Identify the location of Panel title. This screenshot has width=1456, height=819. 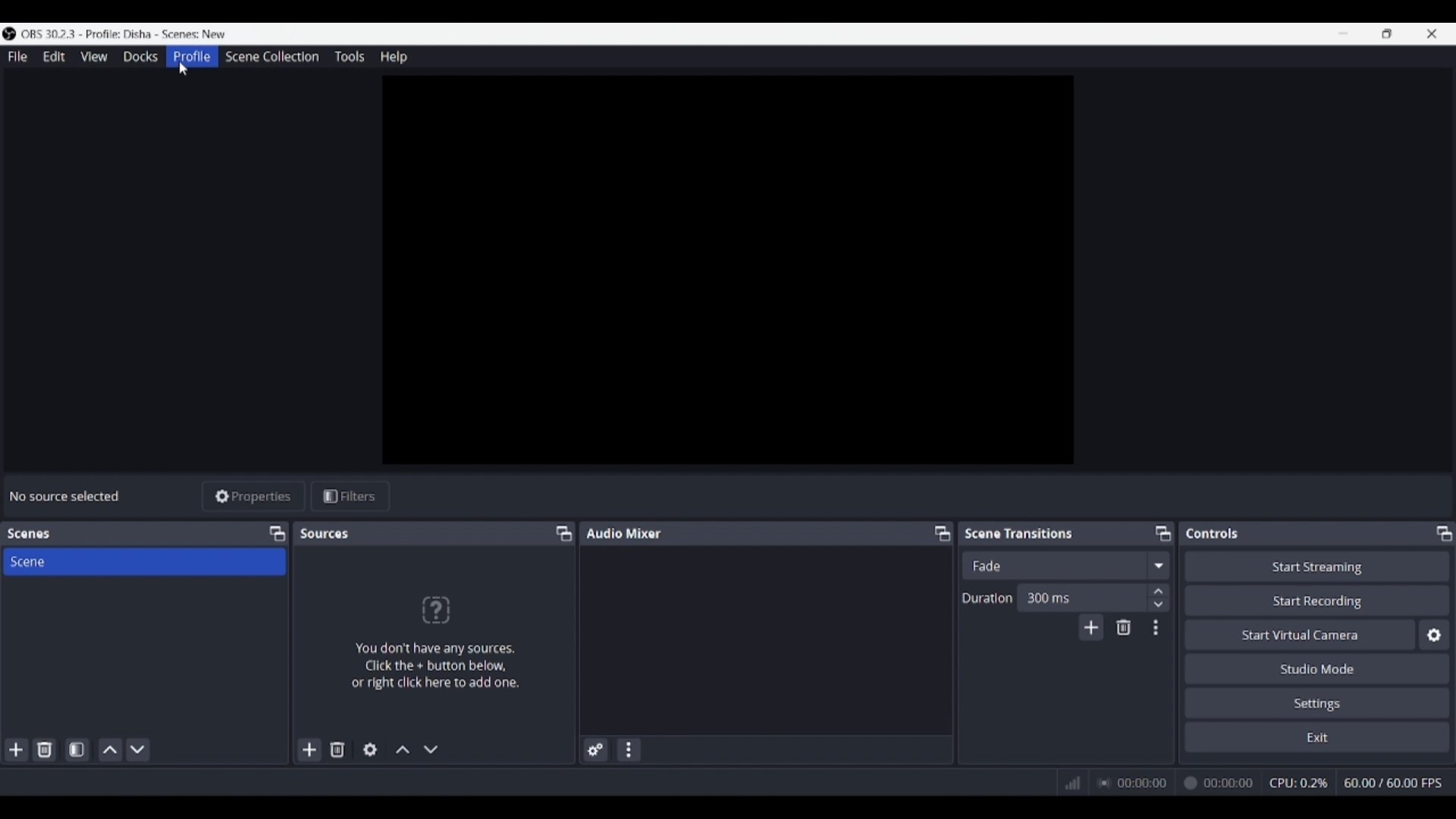
(1213, 533).